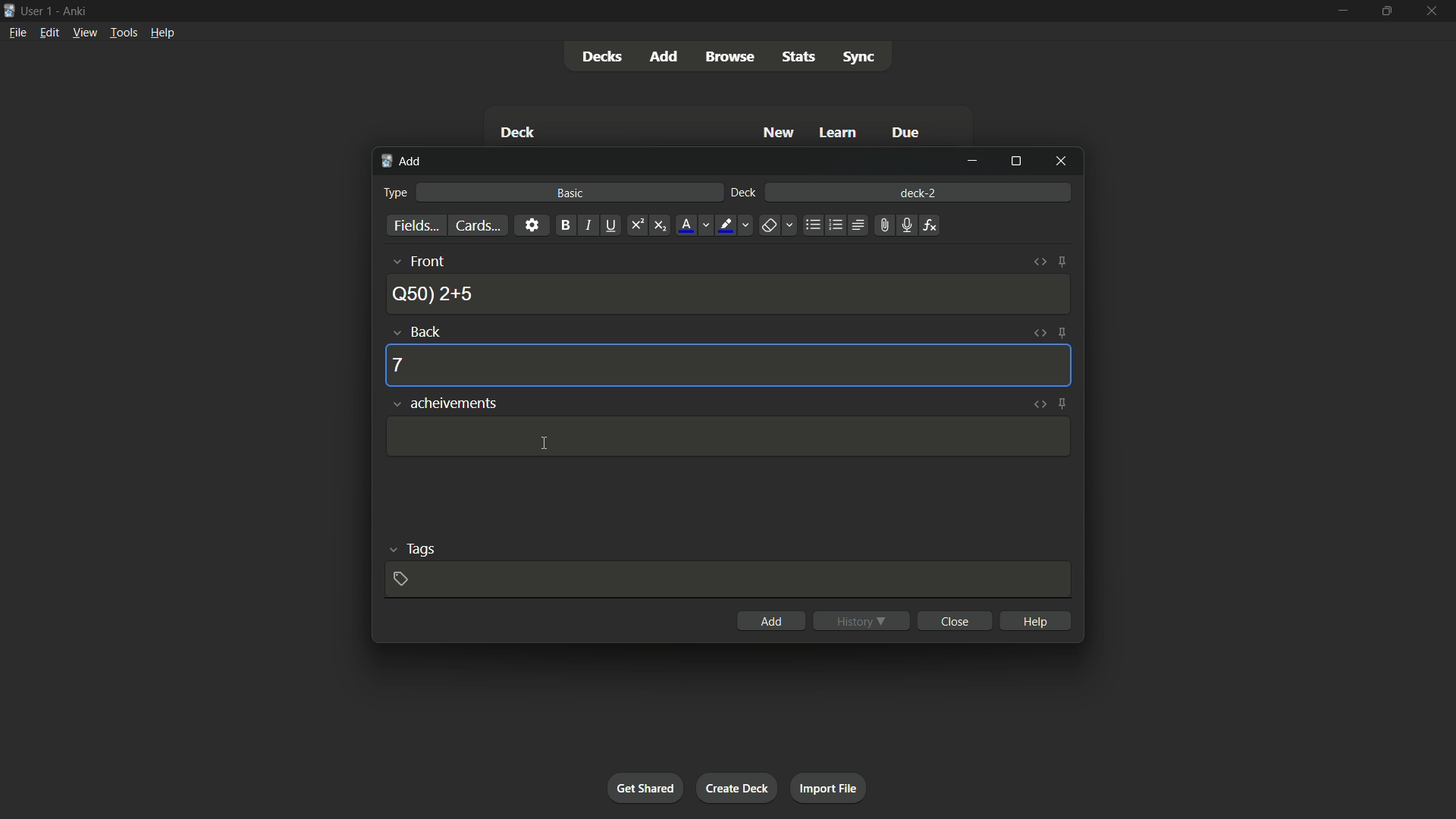 The image size is (1456, 819). I want to click on type, so click(395, 193).